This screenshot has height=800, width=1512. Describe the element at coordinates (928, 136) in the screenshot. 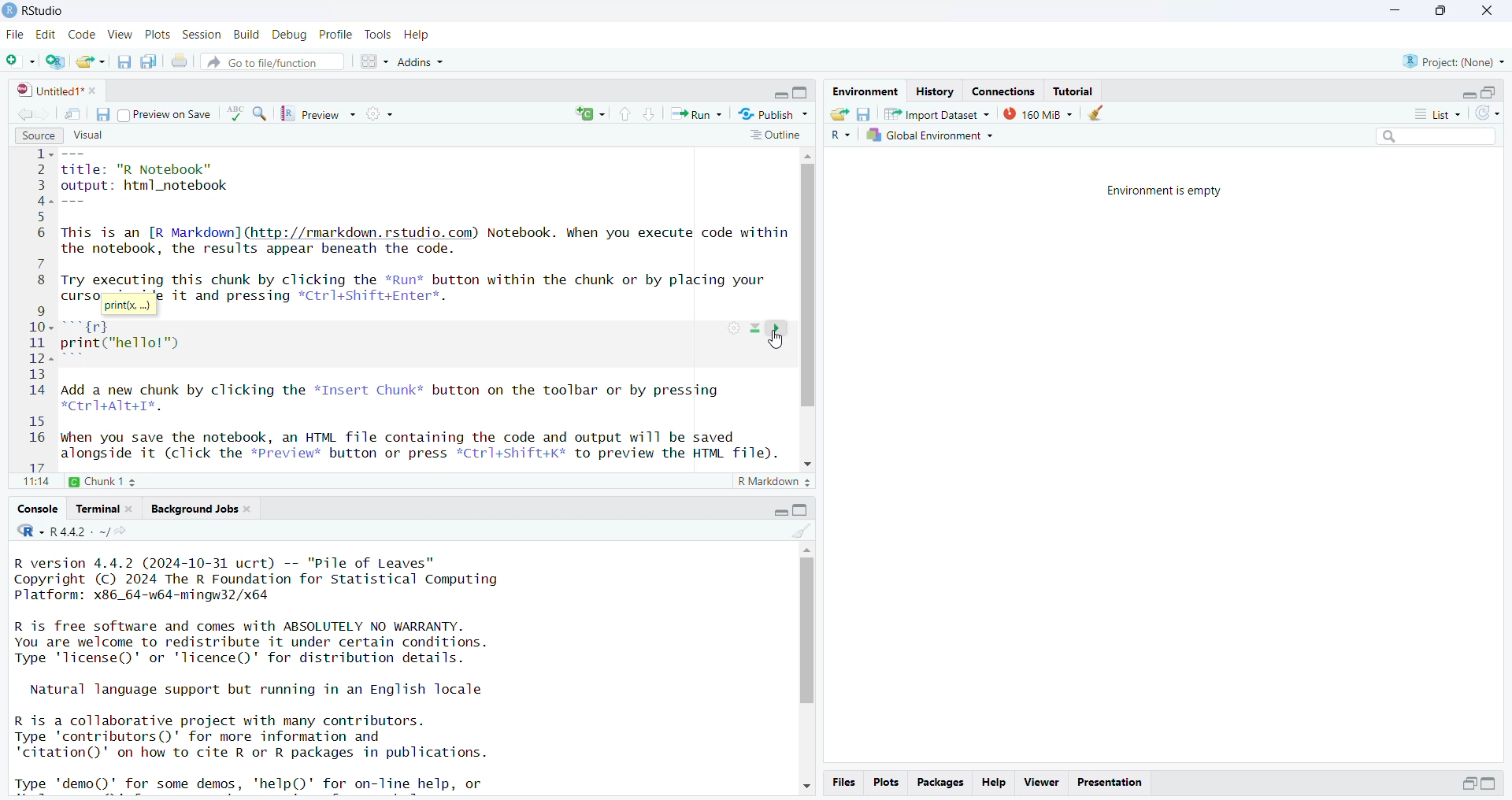

I see `global environment` at that location.